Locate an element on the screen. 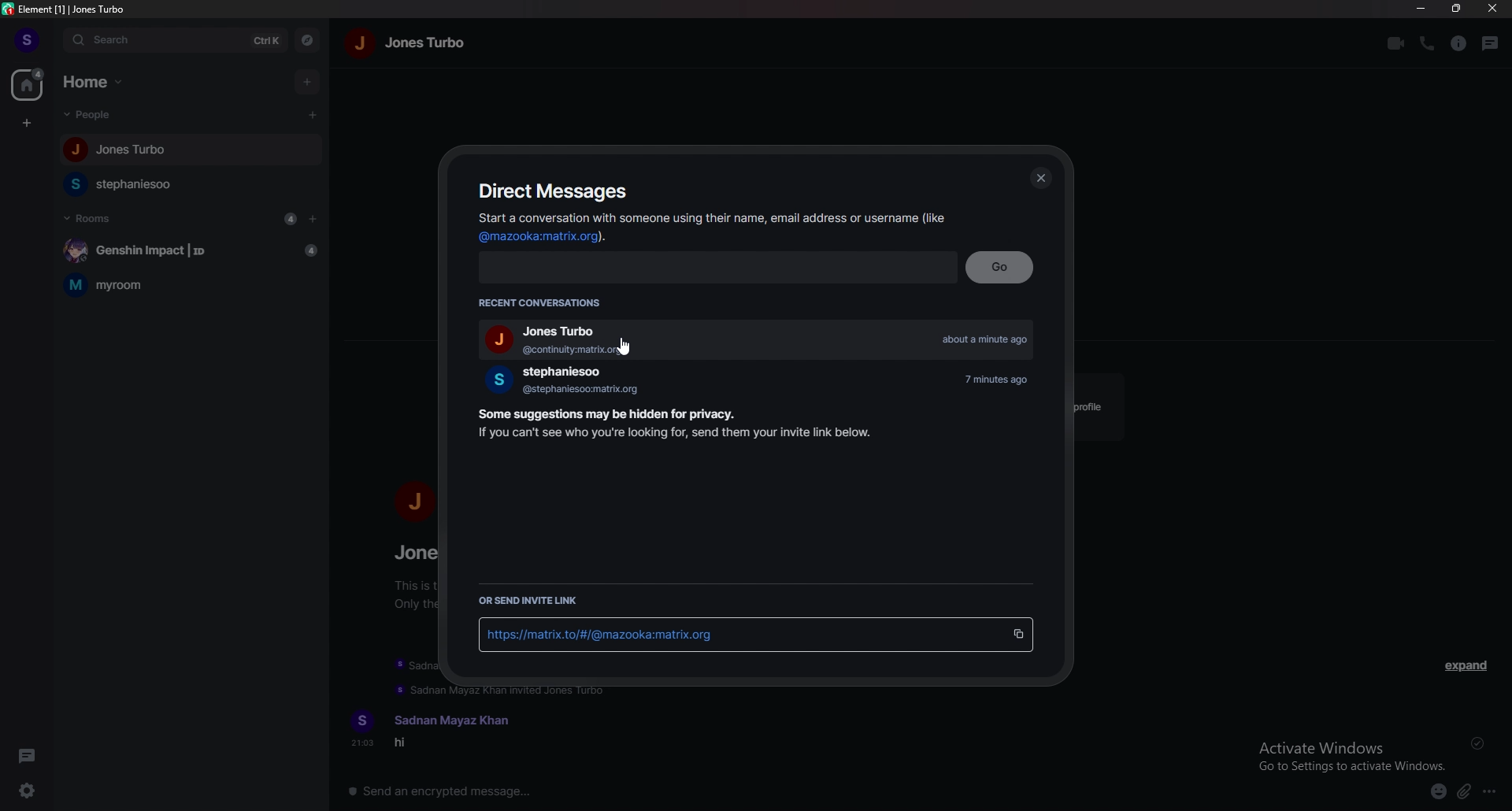 This screenshot has width=1512, height=811. element [1] | Jones Turbo is located at coordinates (65, 9).